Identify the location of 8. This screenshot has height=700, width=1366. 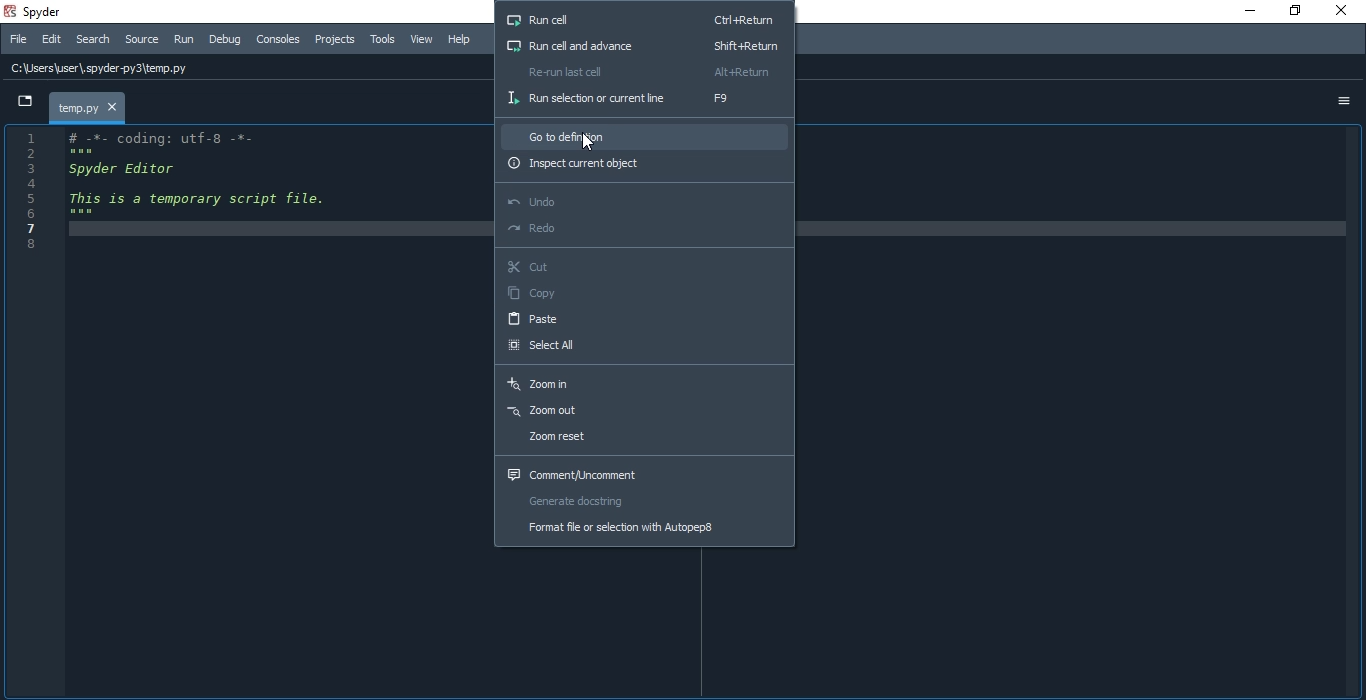
(35, 245).